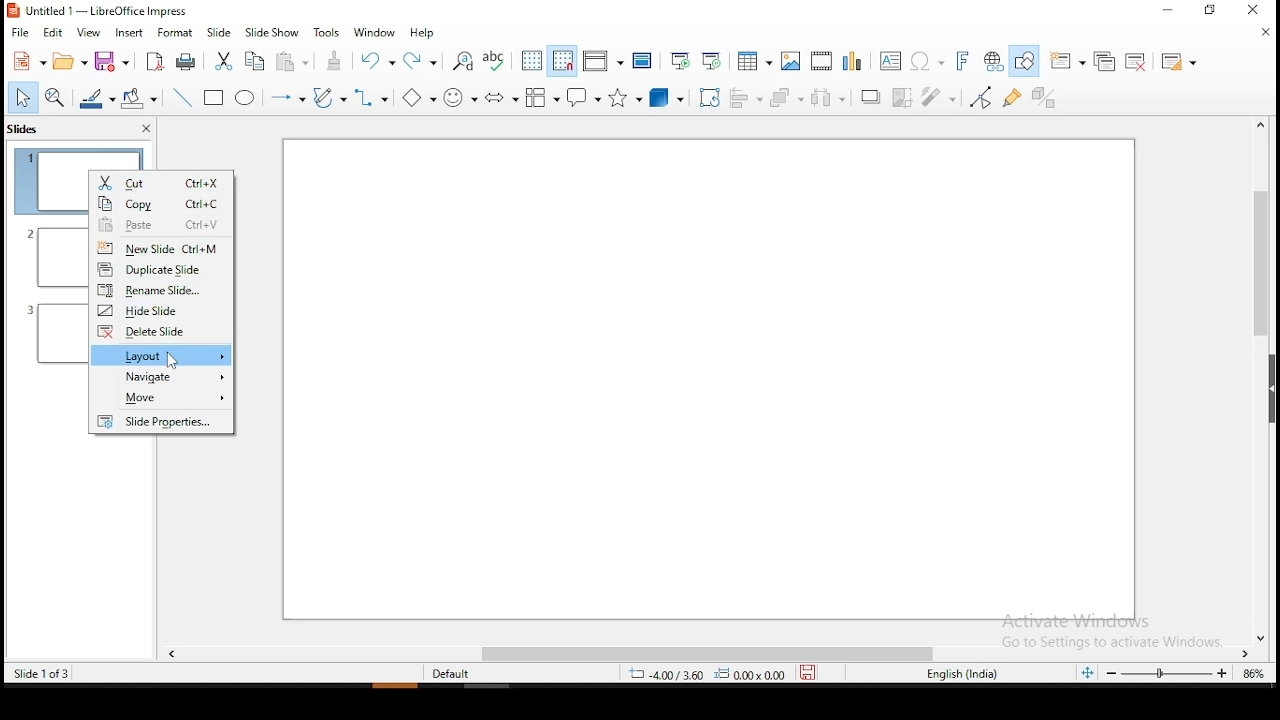  What do you see at coordinates (602, 62) in the screenshot?
I see `display views` at bounding box center [602, 62].